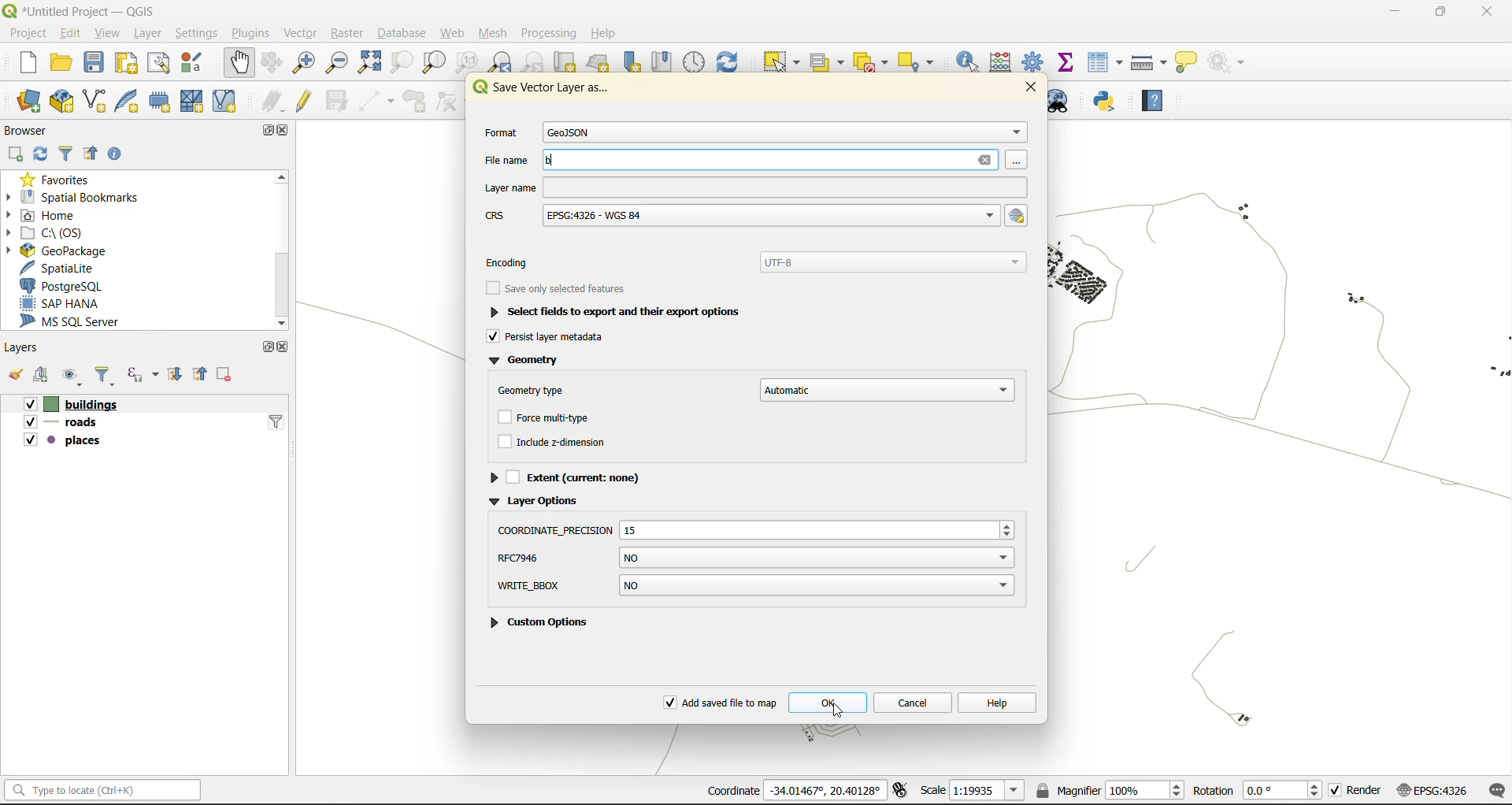 This screenshot has height=805, width=1512. Describe the element at coordinates (131, 99) in the screenshot. I see `new spatialite` at that location.